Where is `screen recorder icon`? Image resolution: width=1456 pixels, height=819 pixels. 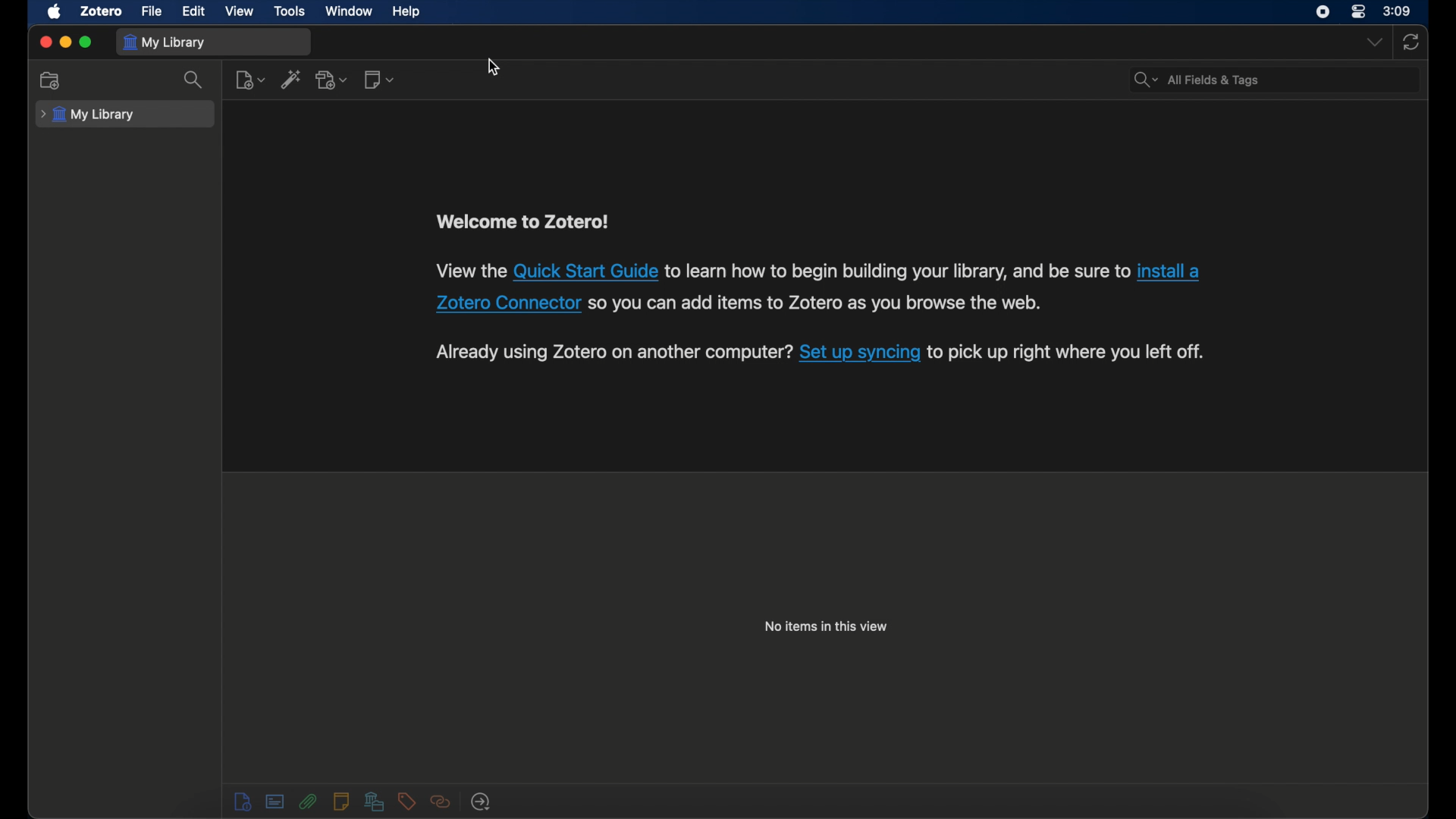
screen recorder icon is located at coordinates (1323, 12).